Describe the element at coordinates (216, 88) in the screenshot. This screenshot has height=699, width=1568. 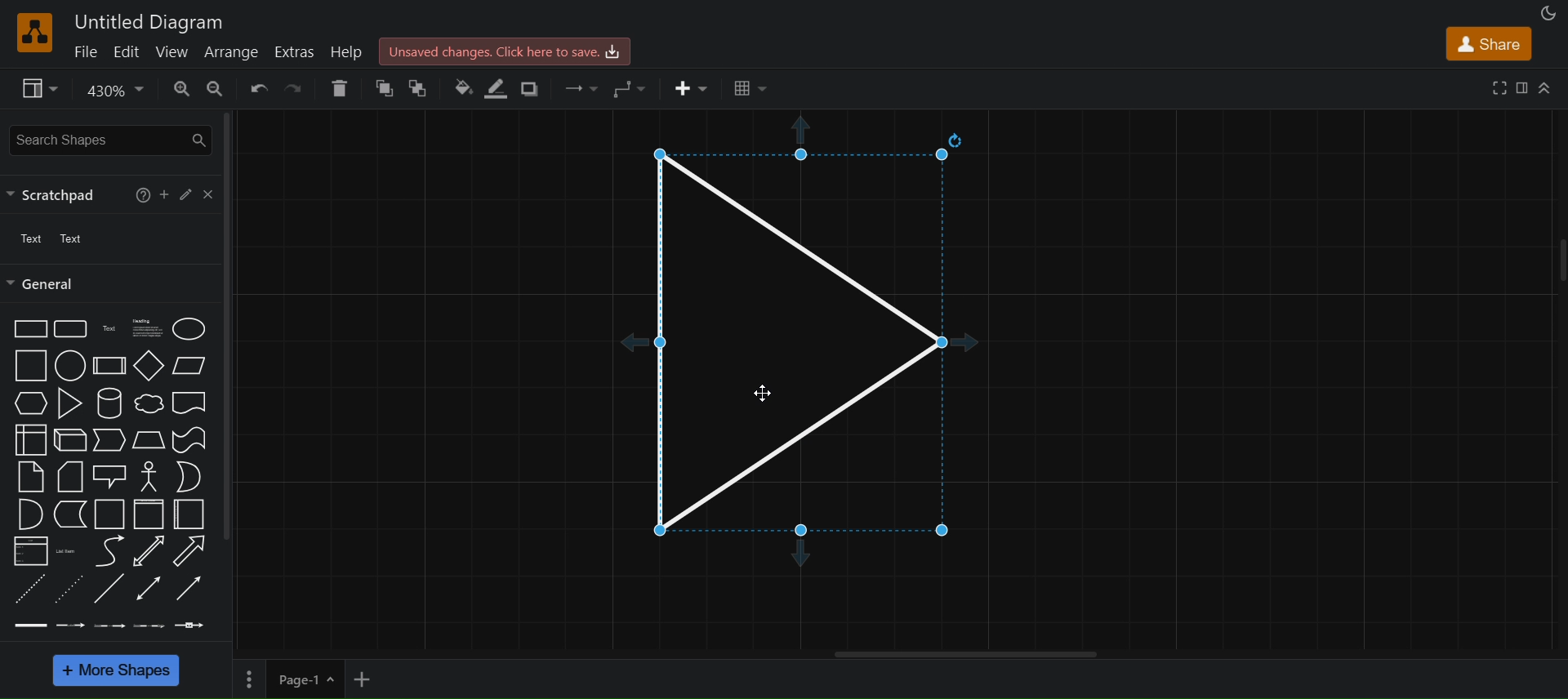
I see `zoom out` at that location.